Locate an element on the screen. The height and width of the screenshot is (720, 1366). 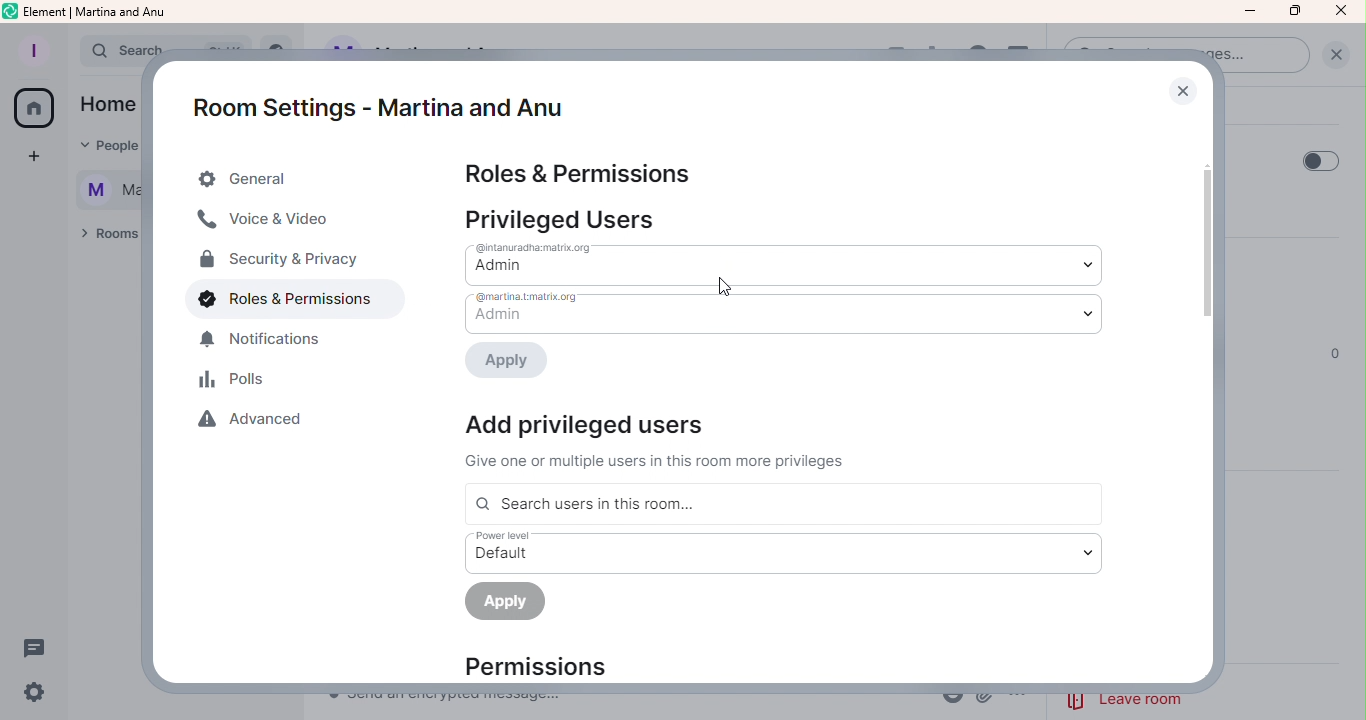
Roles and permissions is located at coordinates (580, 173).